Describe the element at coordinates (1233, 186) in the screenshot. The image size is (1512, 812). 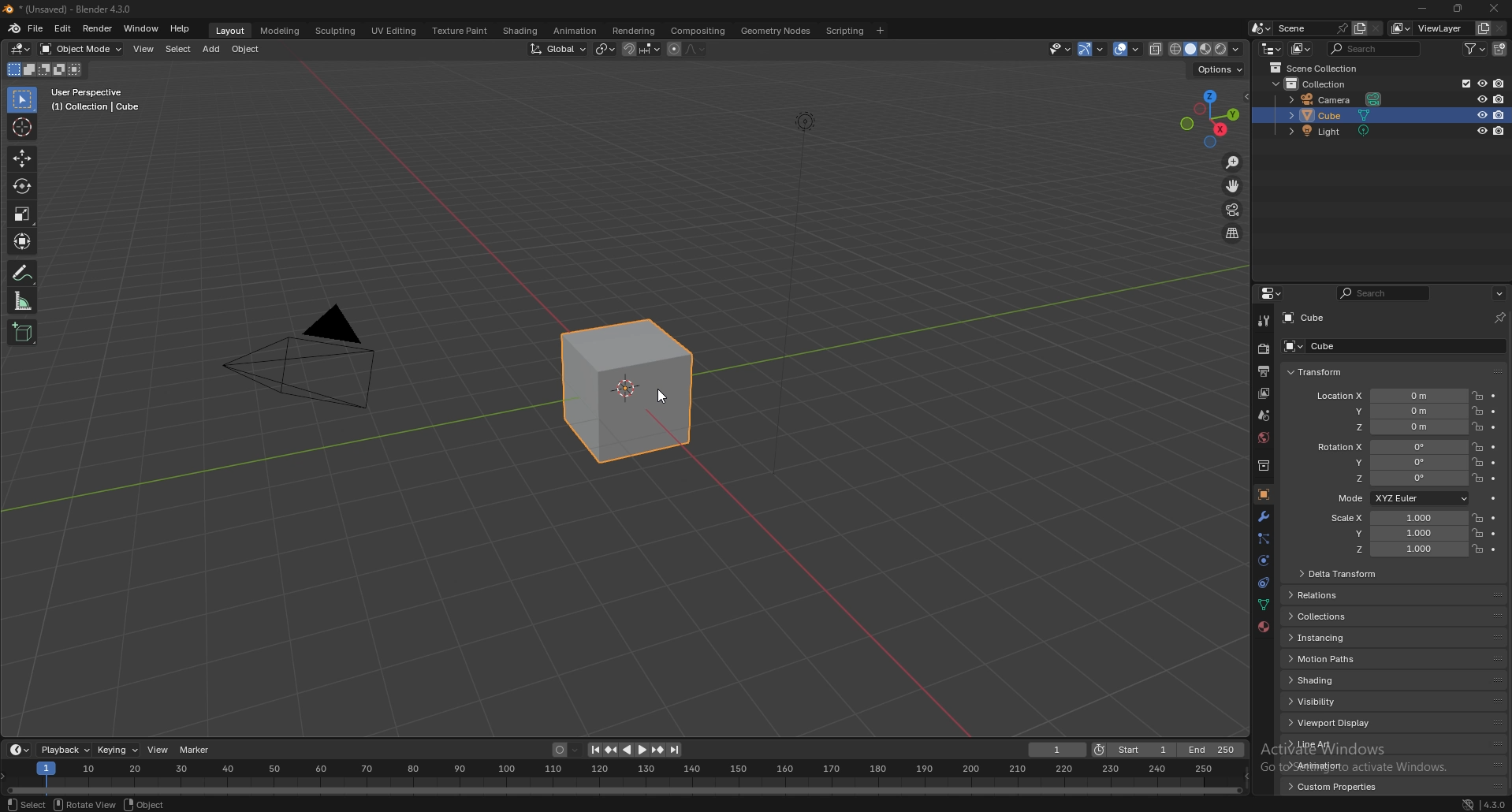
I see `move` at that location.